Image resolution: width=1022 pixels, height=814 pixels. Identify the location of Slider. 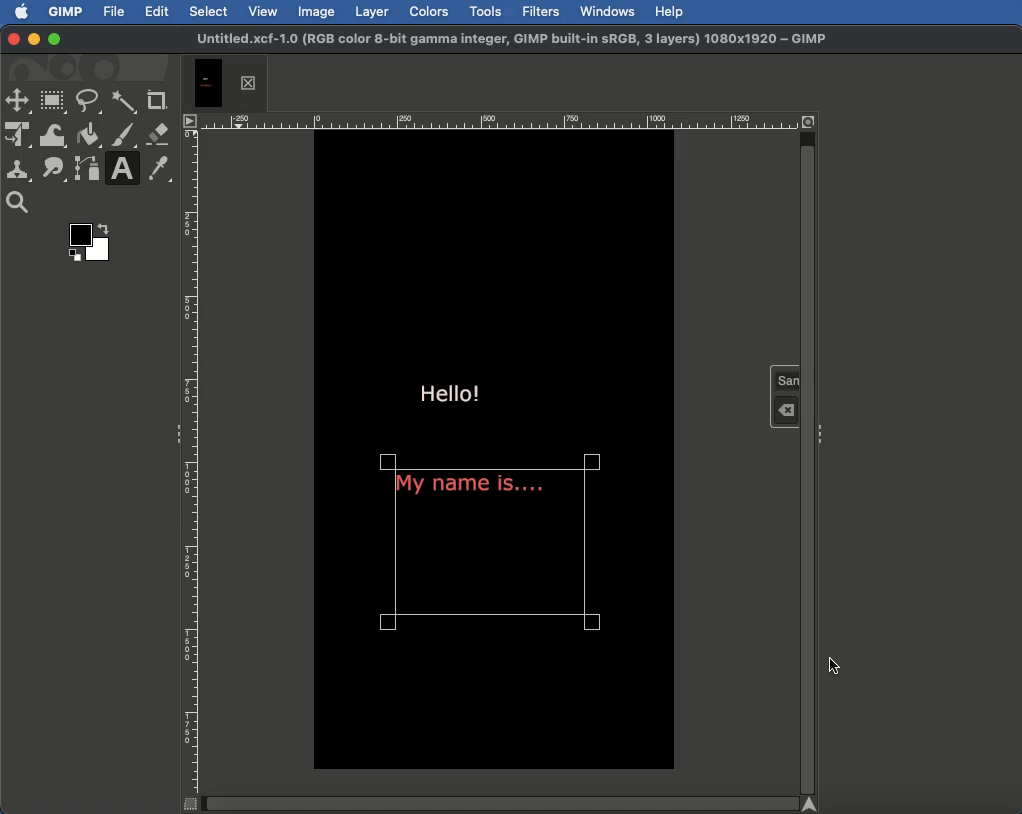
(506, 803).